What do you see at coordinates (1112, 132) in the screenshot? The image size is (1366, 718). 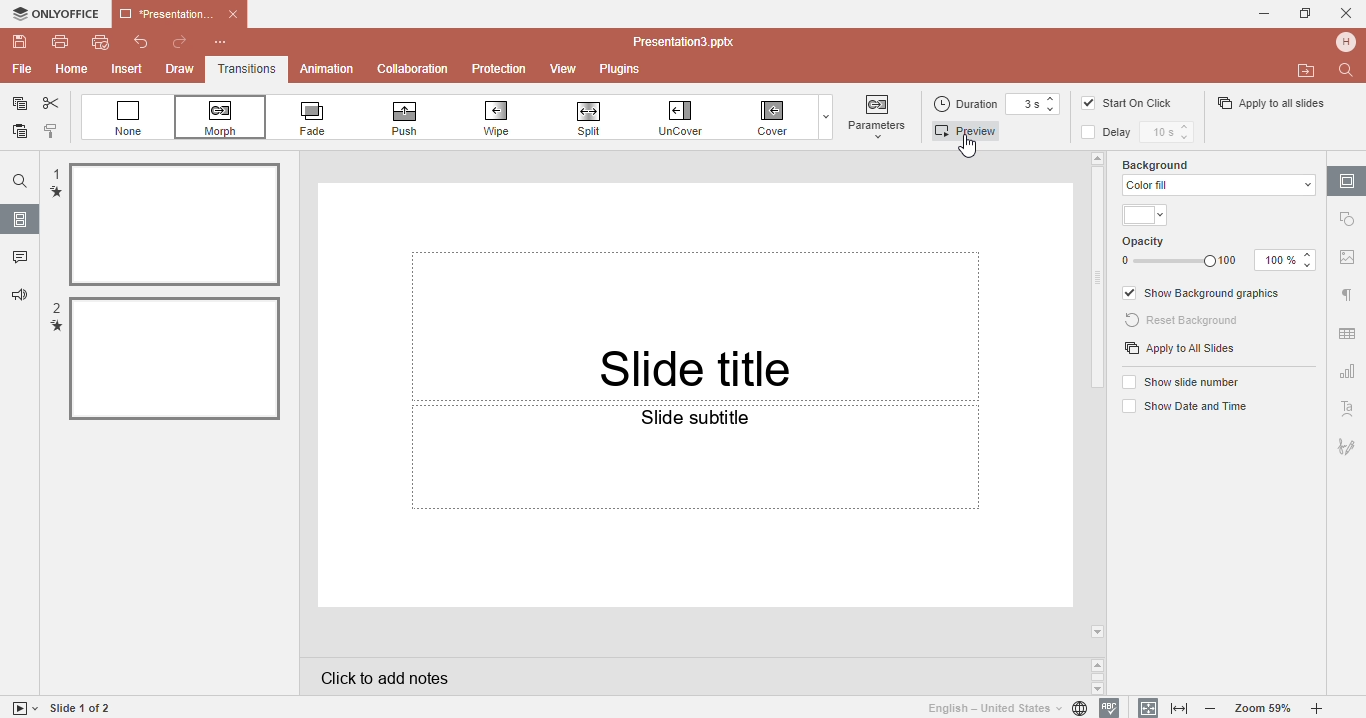 I see `Delay` at bounding box center [1112, 132].